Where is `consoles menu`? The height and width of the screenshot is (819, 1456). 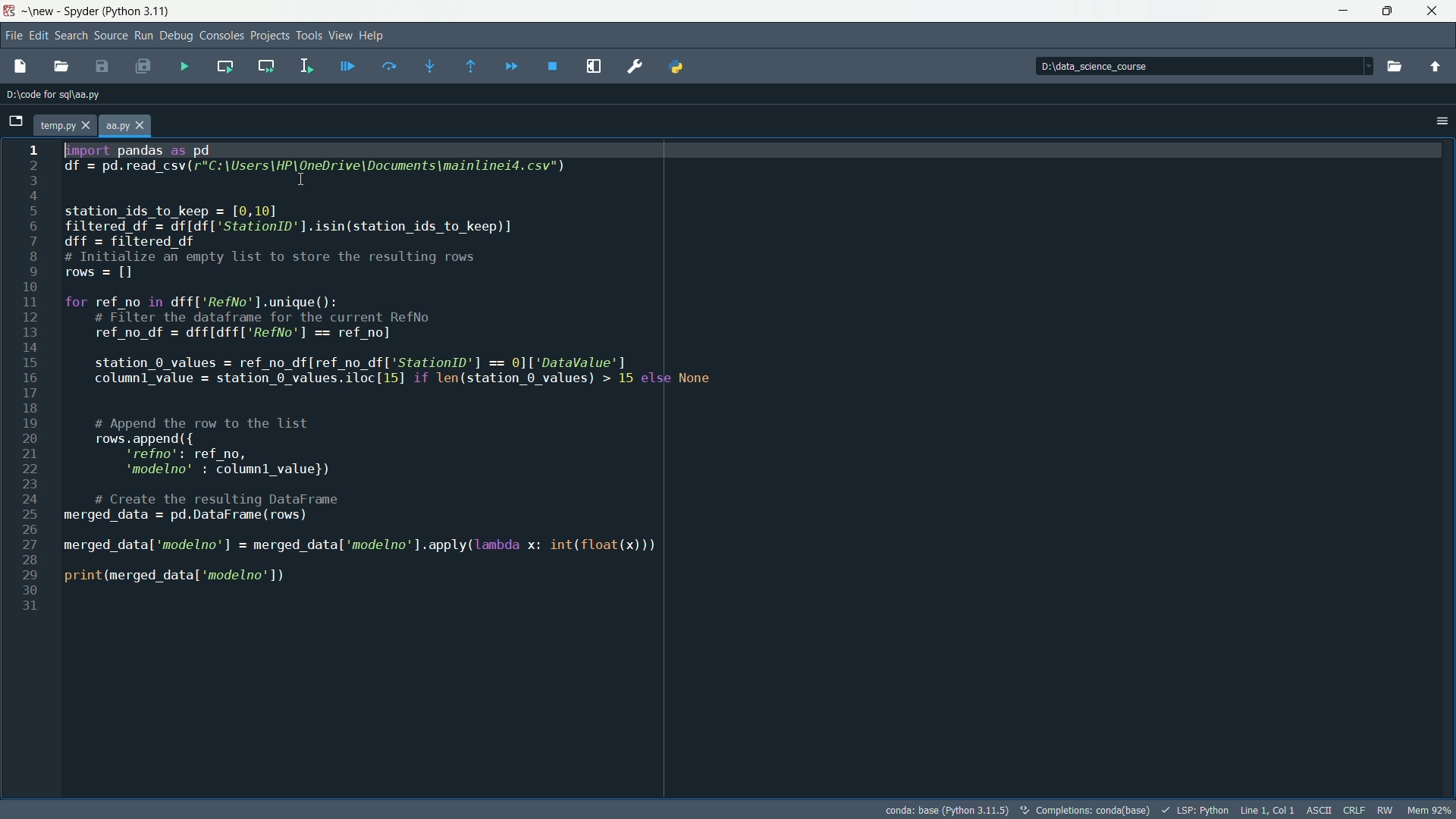 consoles menu is located at coordinates (221, 35).